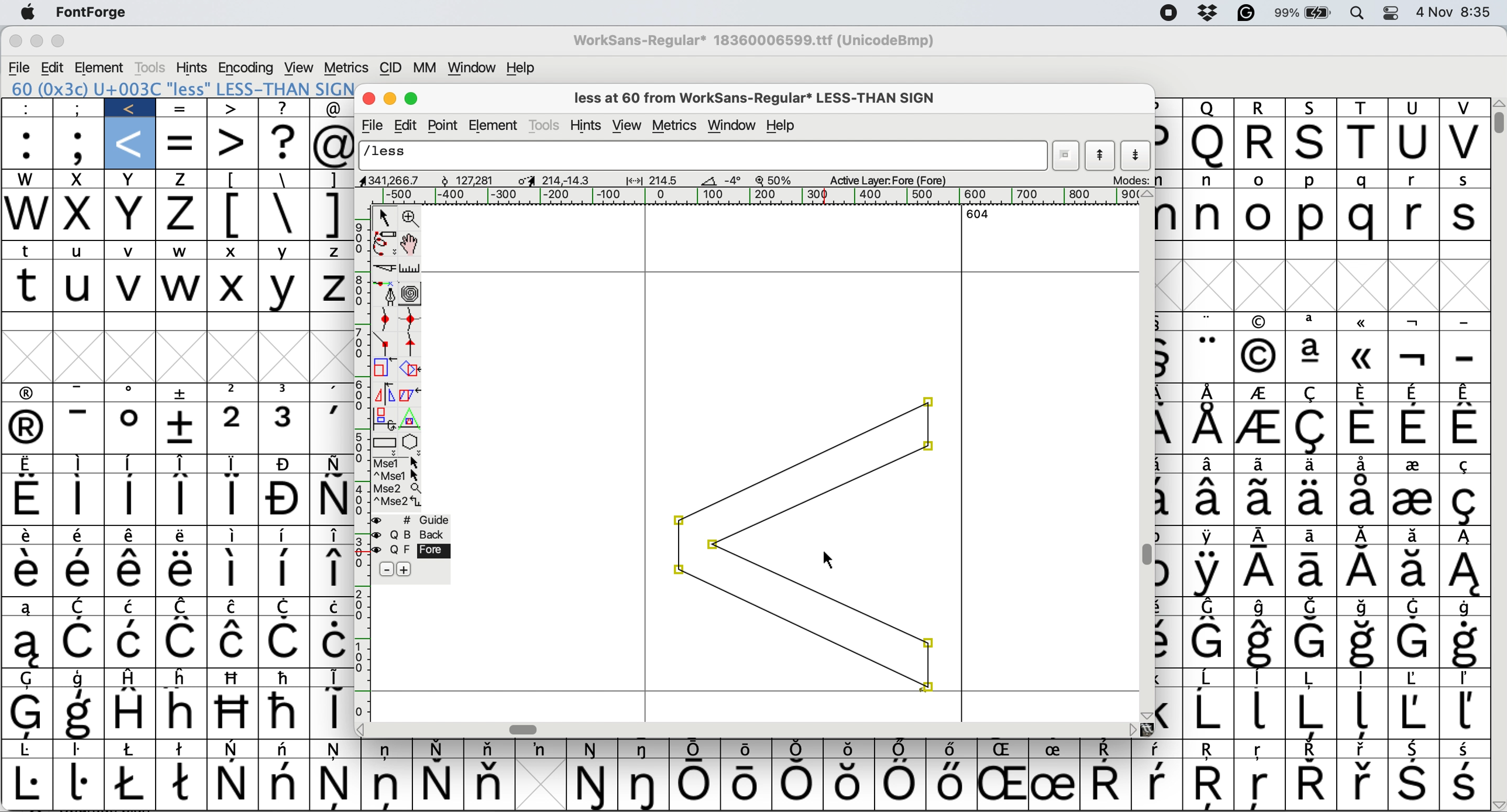  I want to click on Symbol, so click(285, 641).